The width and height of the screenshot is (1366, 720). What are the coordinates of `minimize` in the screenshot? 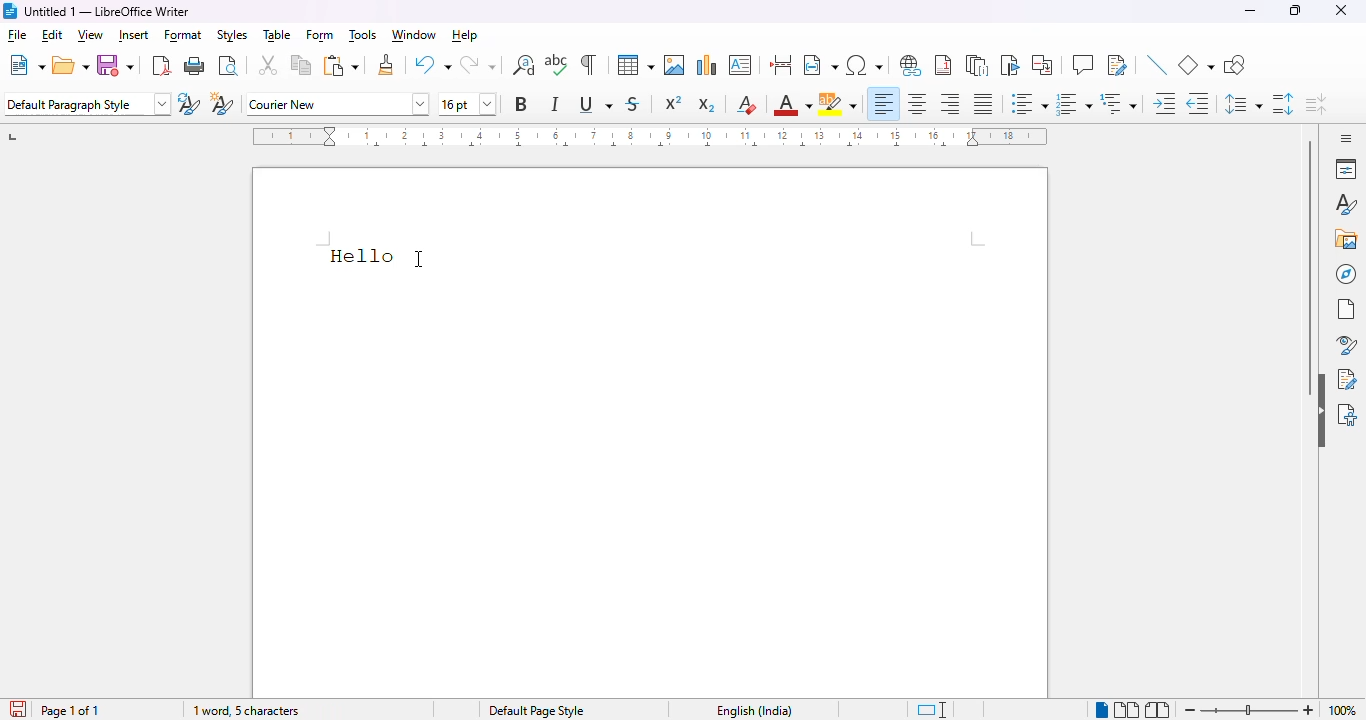 It's located at (1251, 11).